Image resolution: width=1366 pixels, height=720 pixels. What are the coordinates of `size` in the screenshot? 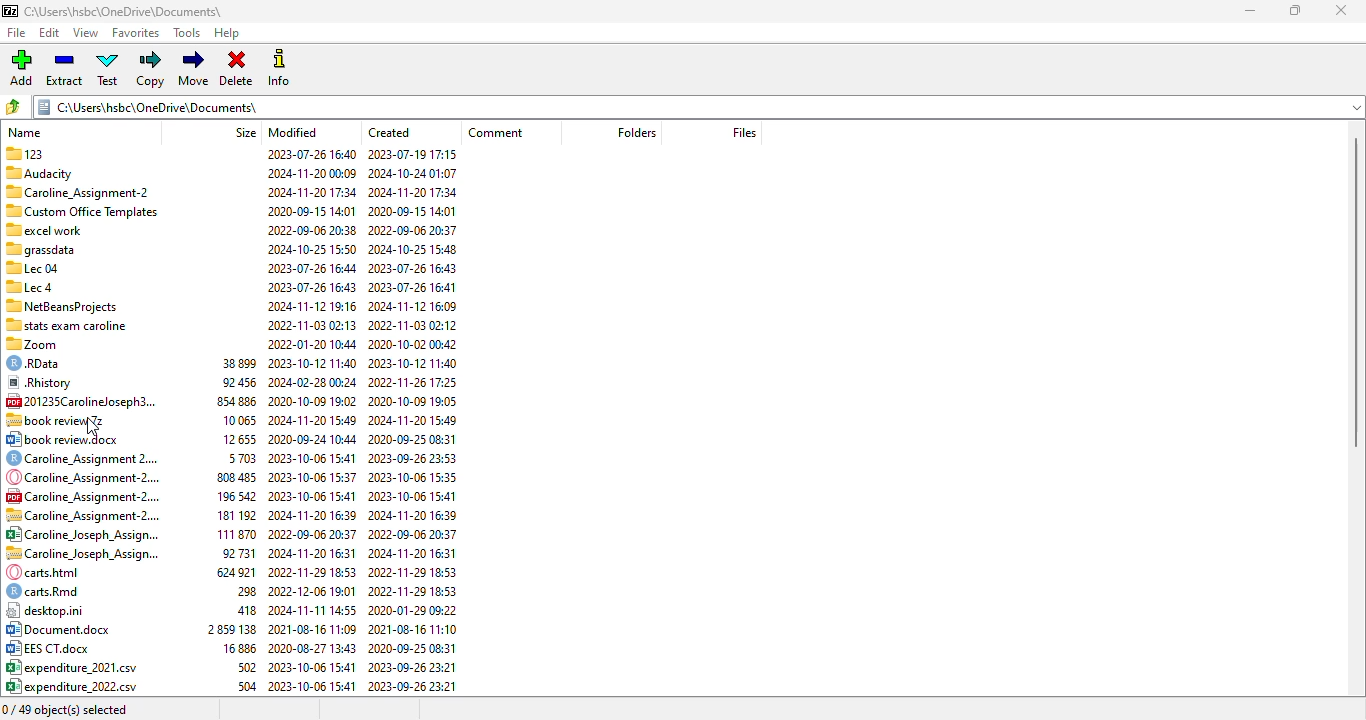 It's located at (245, 131).